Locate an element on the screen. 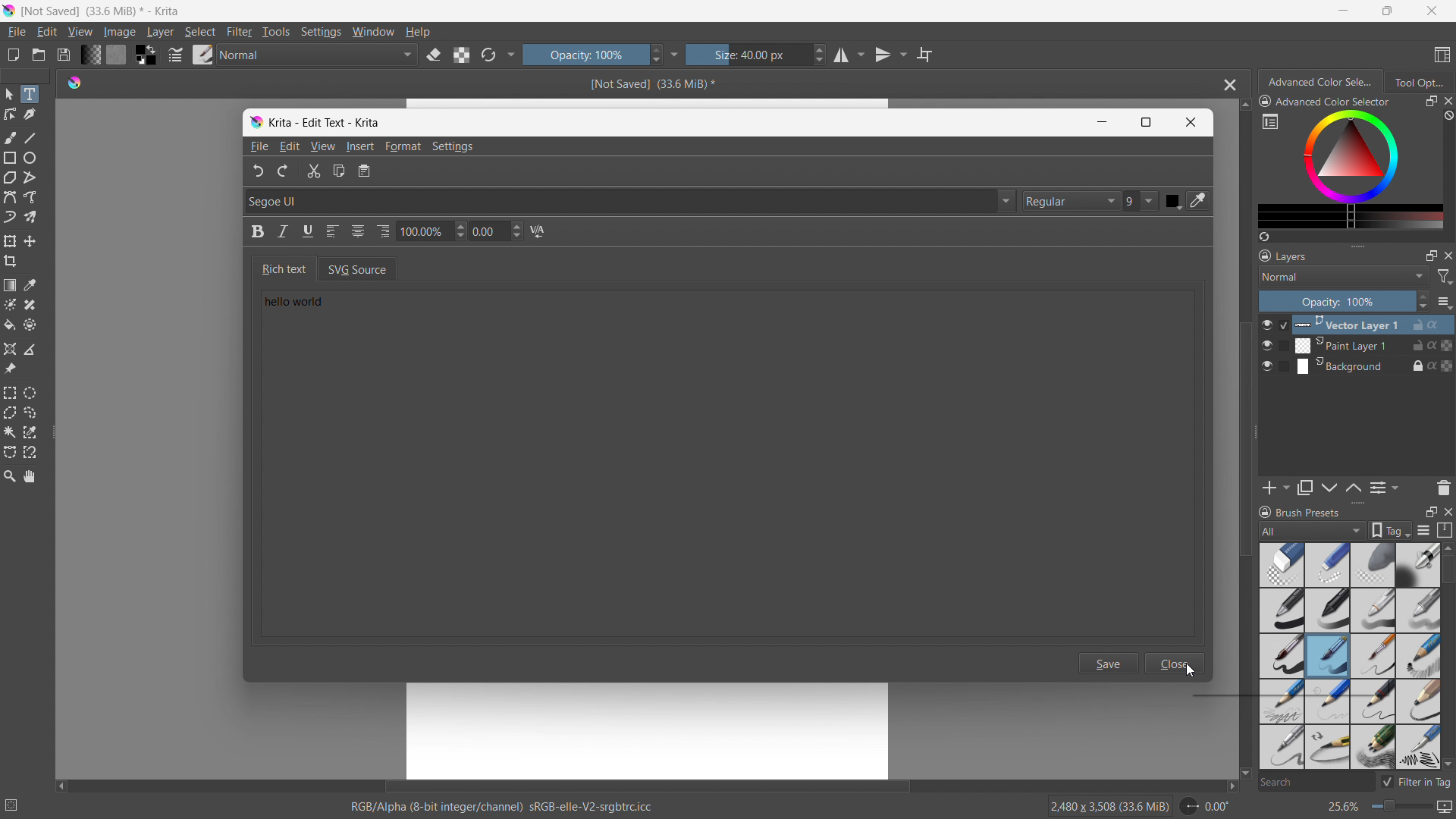 This screenshot has height=819, width=1456. Brush is located at coordinates (1282, 654).